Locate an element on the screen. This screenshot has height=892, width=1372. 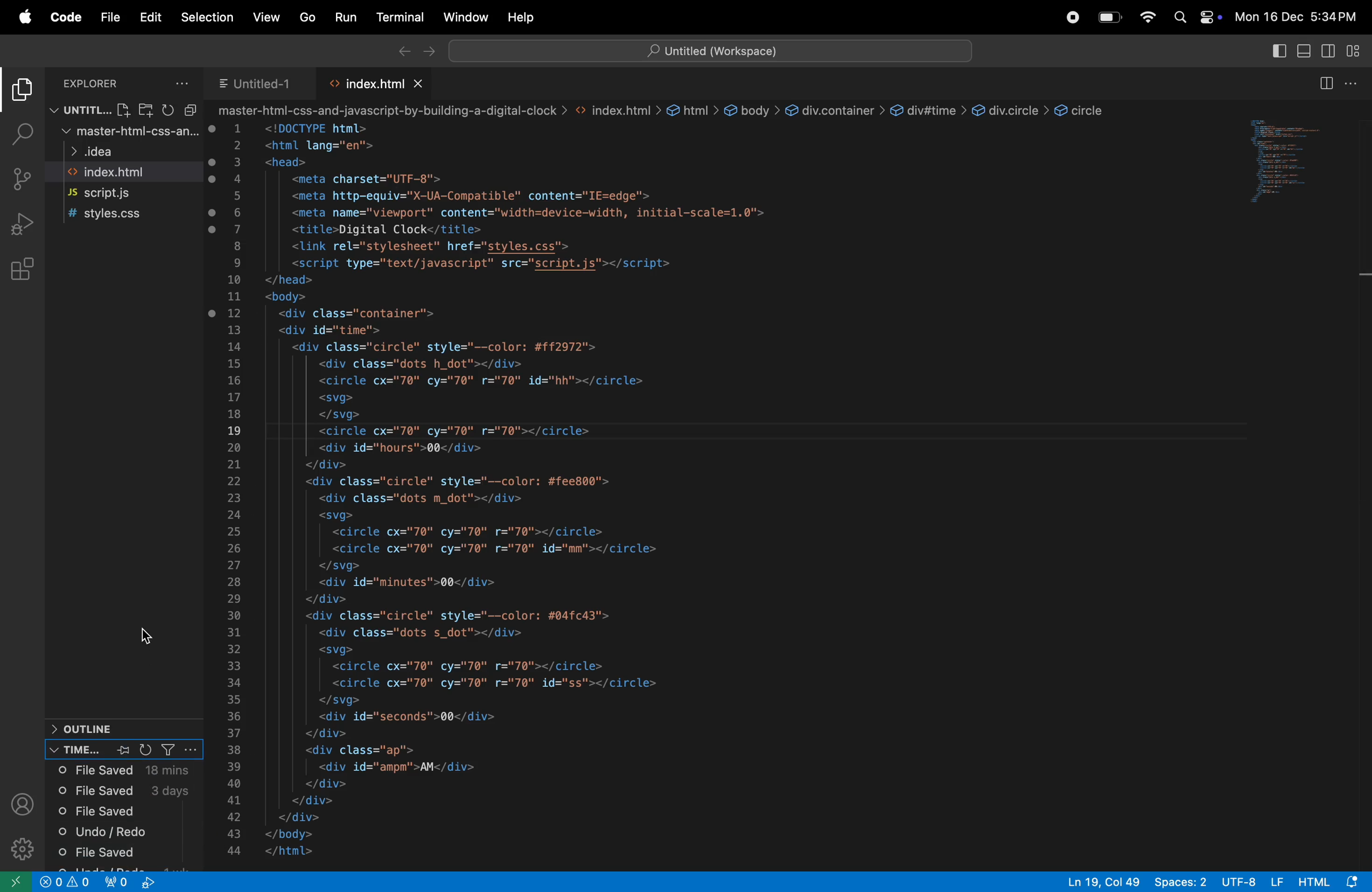
<div class="container"> is located at coordinates (351, 313).